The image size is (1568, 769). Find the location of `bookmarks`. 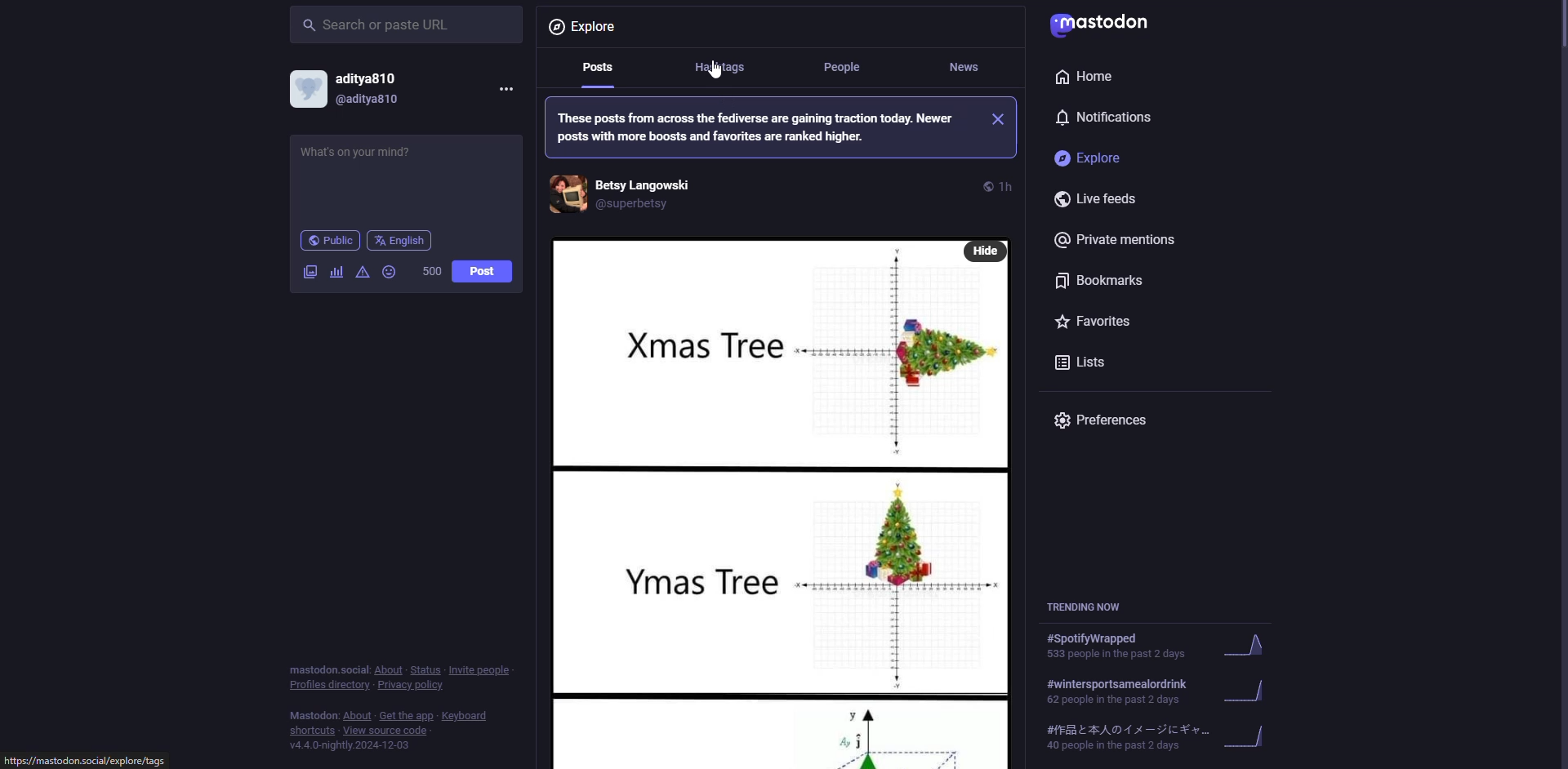

bookmarks is located at coordinates (1102, 279).